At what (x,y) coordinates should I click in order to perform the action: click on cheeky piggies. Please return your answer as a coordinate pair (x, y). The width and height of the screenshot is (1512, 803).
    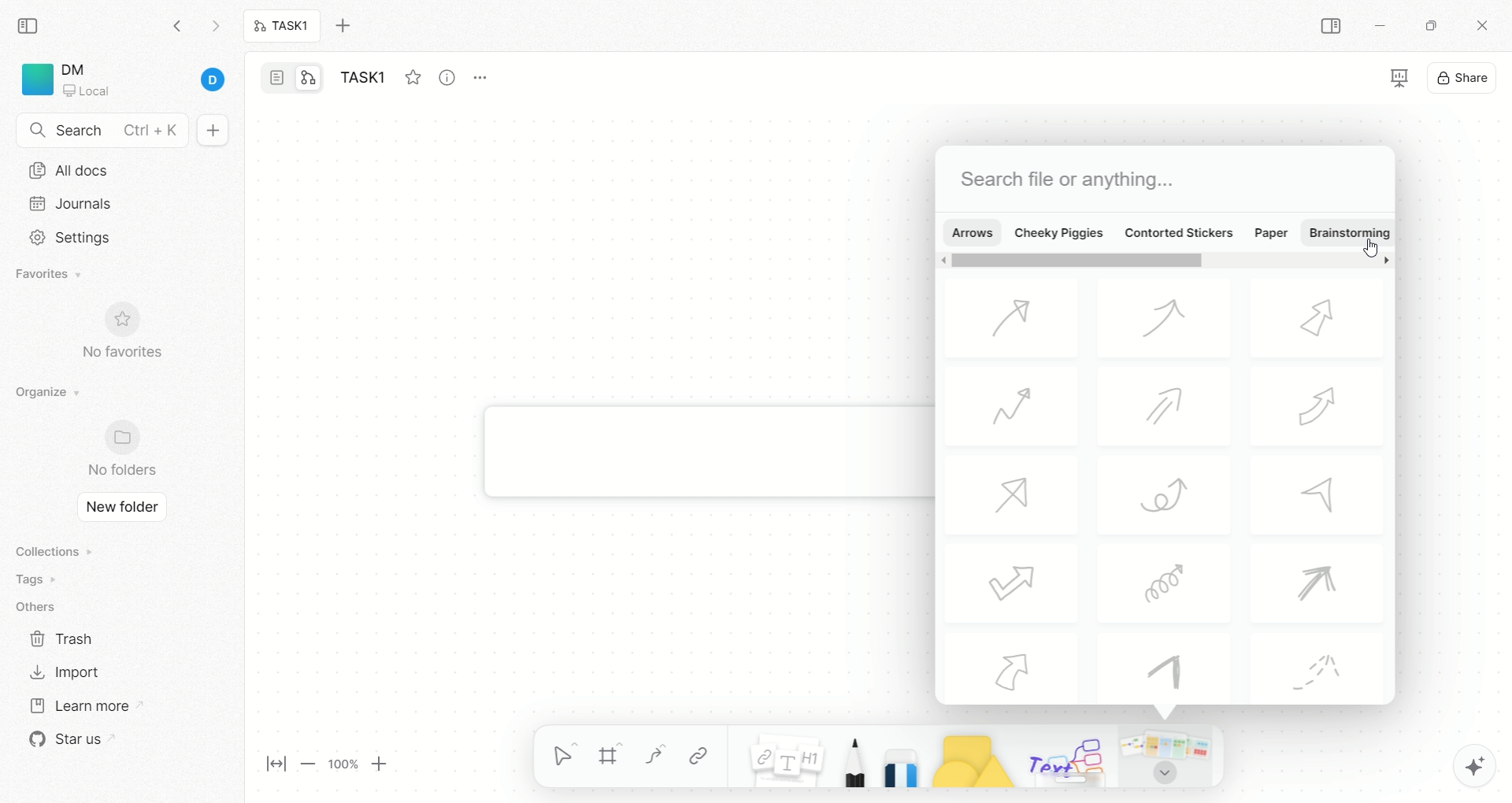
    Looking at the image, I should click on (1059, 231).